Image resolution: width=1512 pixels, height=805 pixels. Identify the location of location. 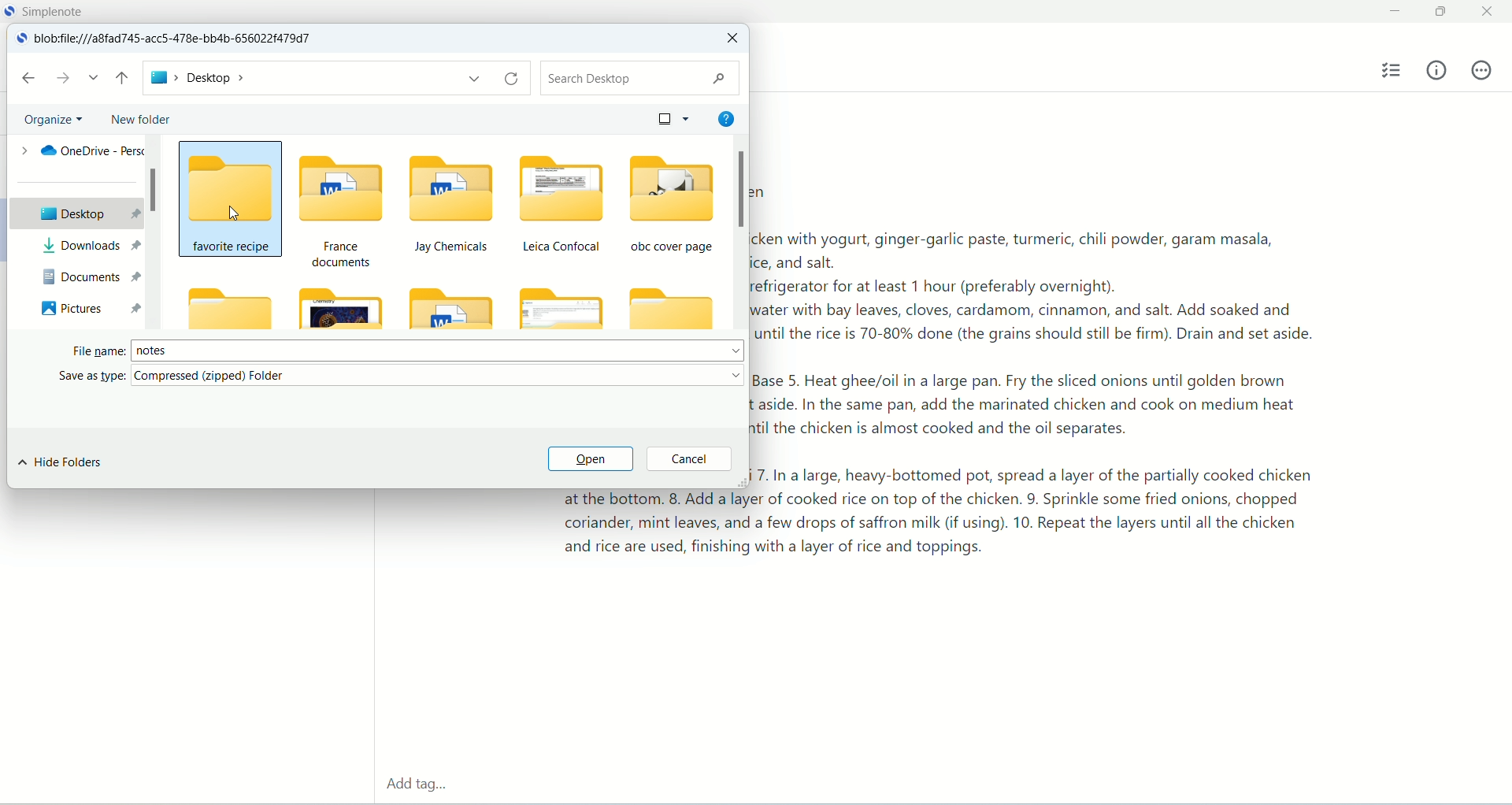
(180, 39).